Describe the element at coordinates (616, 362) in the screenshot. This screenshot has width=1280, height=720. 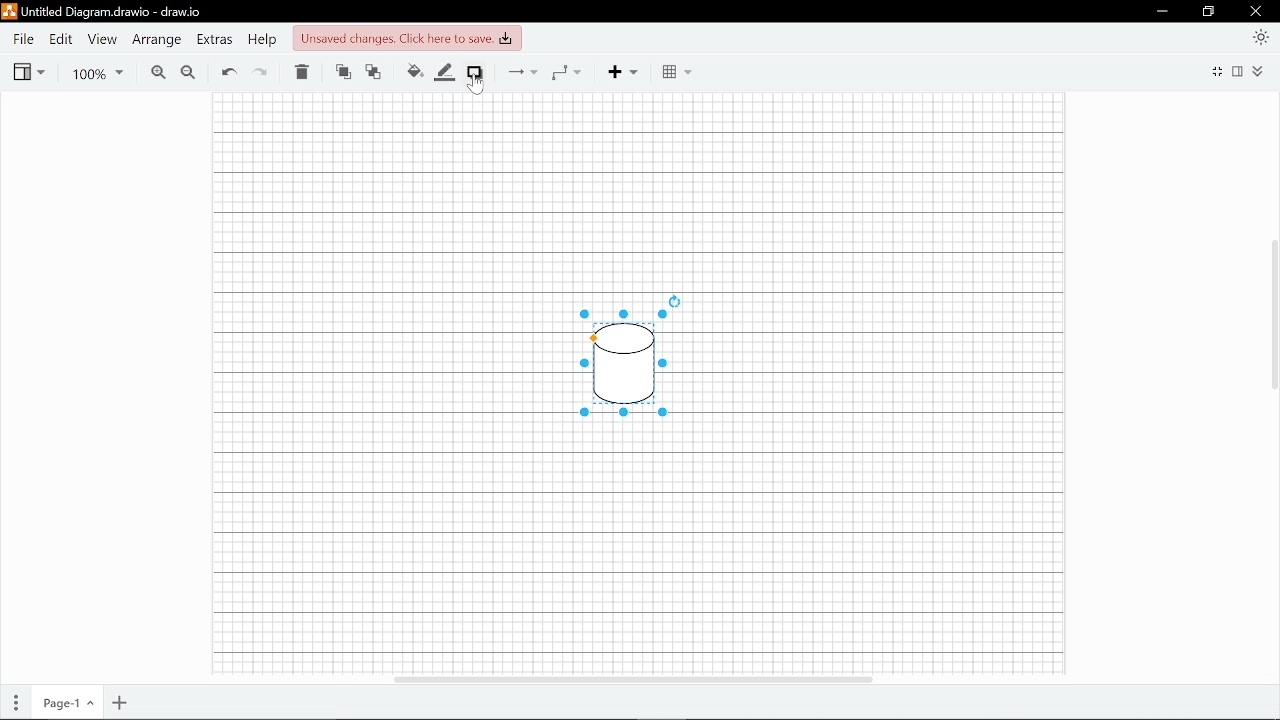
I see `Current diagram` at that location.